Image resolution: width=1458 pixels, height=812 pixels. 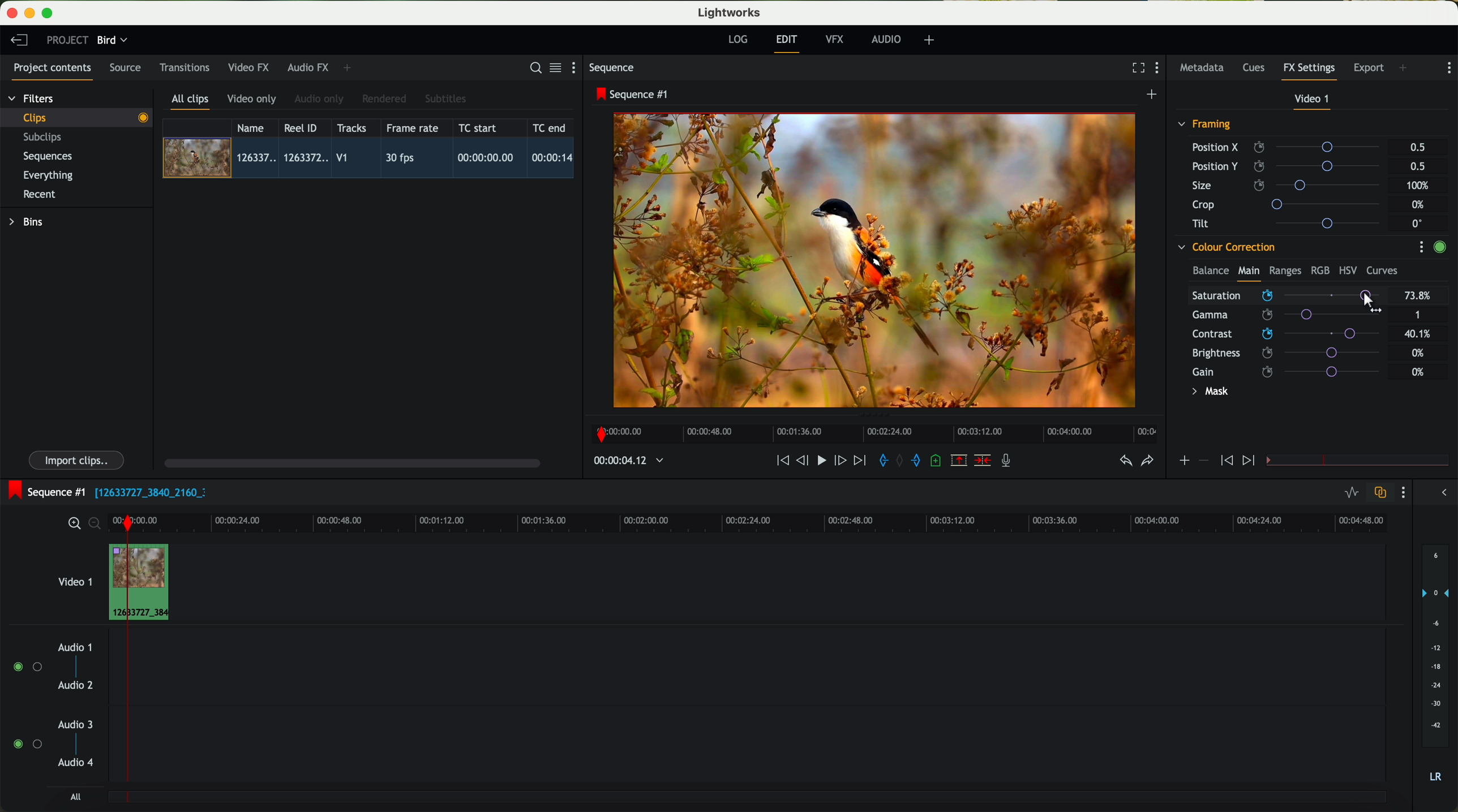 What do you see at coordinates (1285, 270) in the screenshot?
I see `ranges` at bounding box center [1285, 270].